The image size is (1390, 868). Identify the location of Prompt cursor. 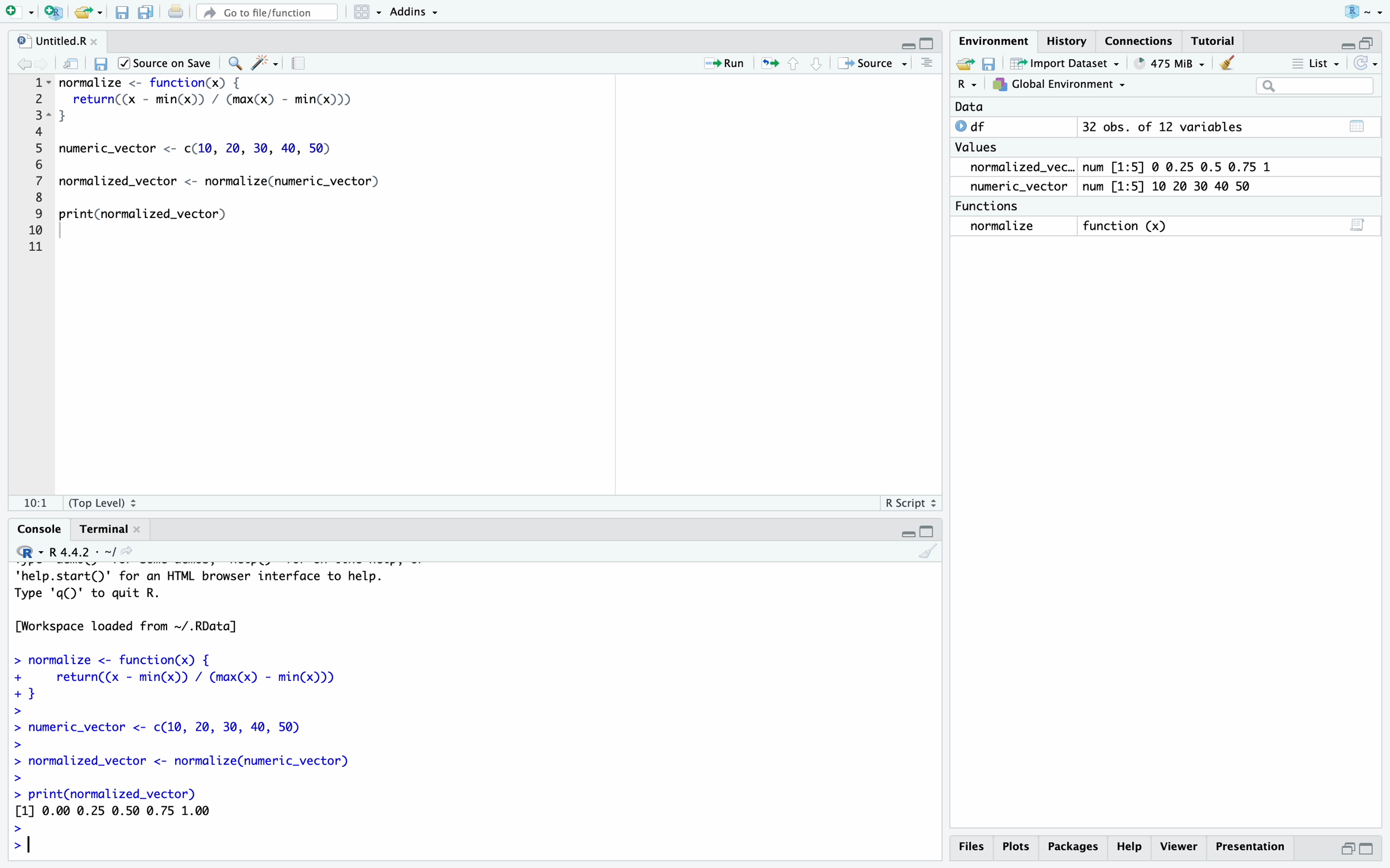
(26, 840).